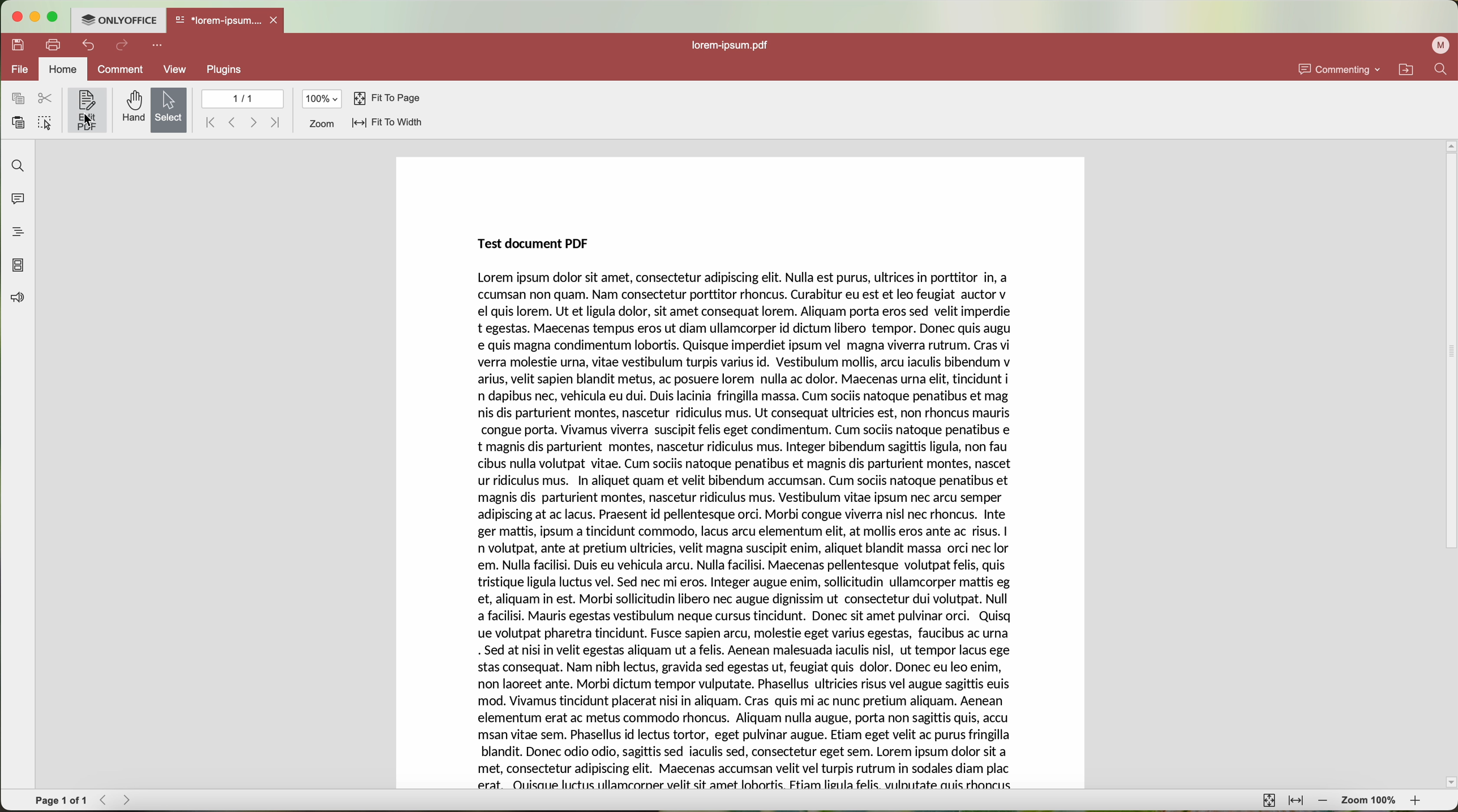  I want to click on scroll bar, so click(1449, 462).